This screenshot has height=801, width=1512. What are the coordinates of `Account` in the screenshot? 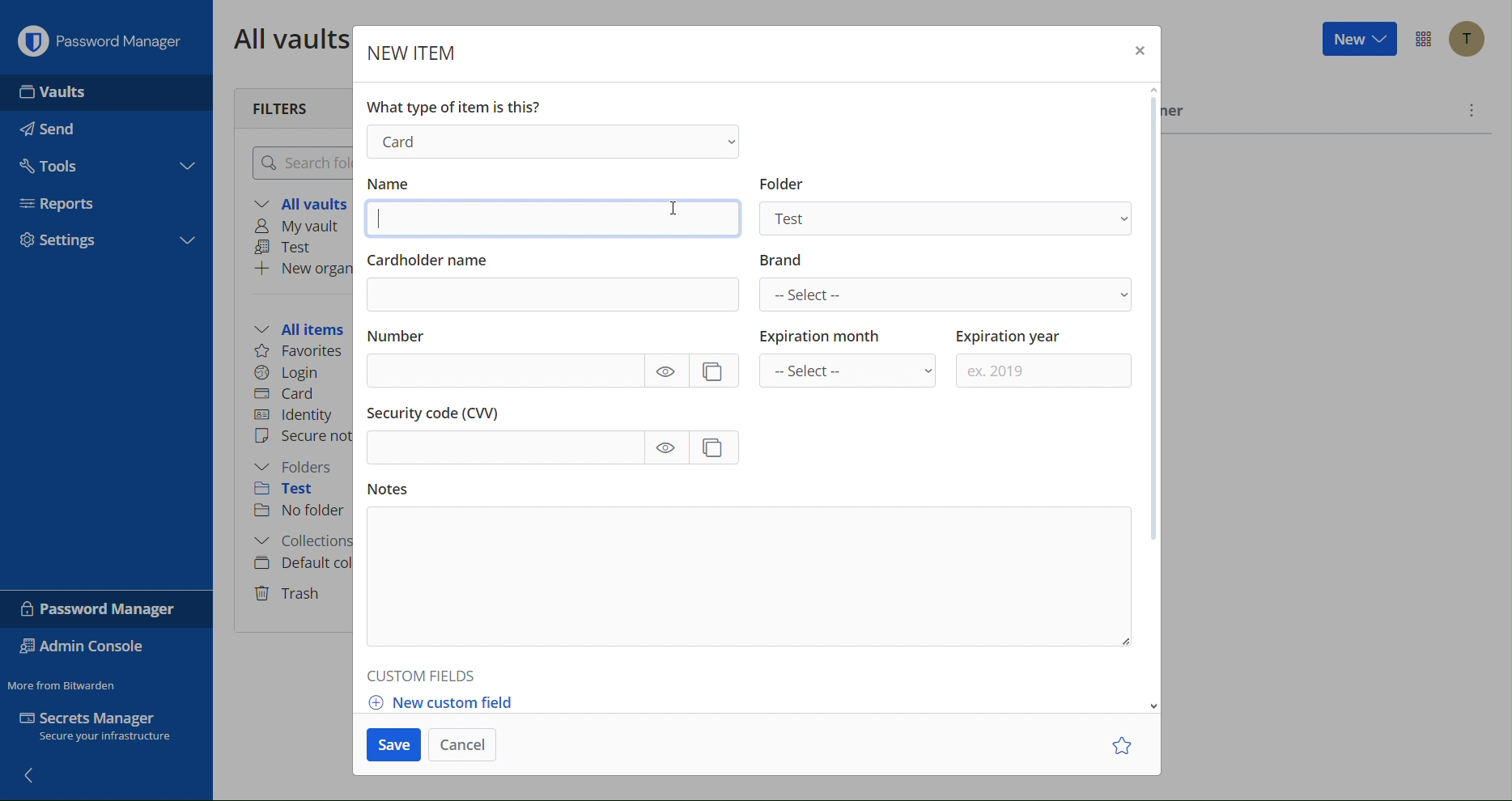 It's located at (1468, 39).